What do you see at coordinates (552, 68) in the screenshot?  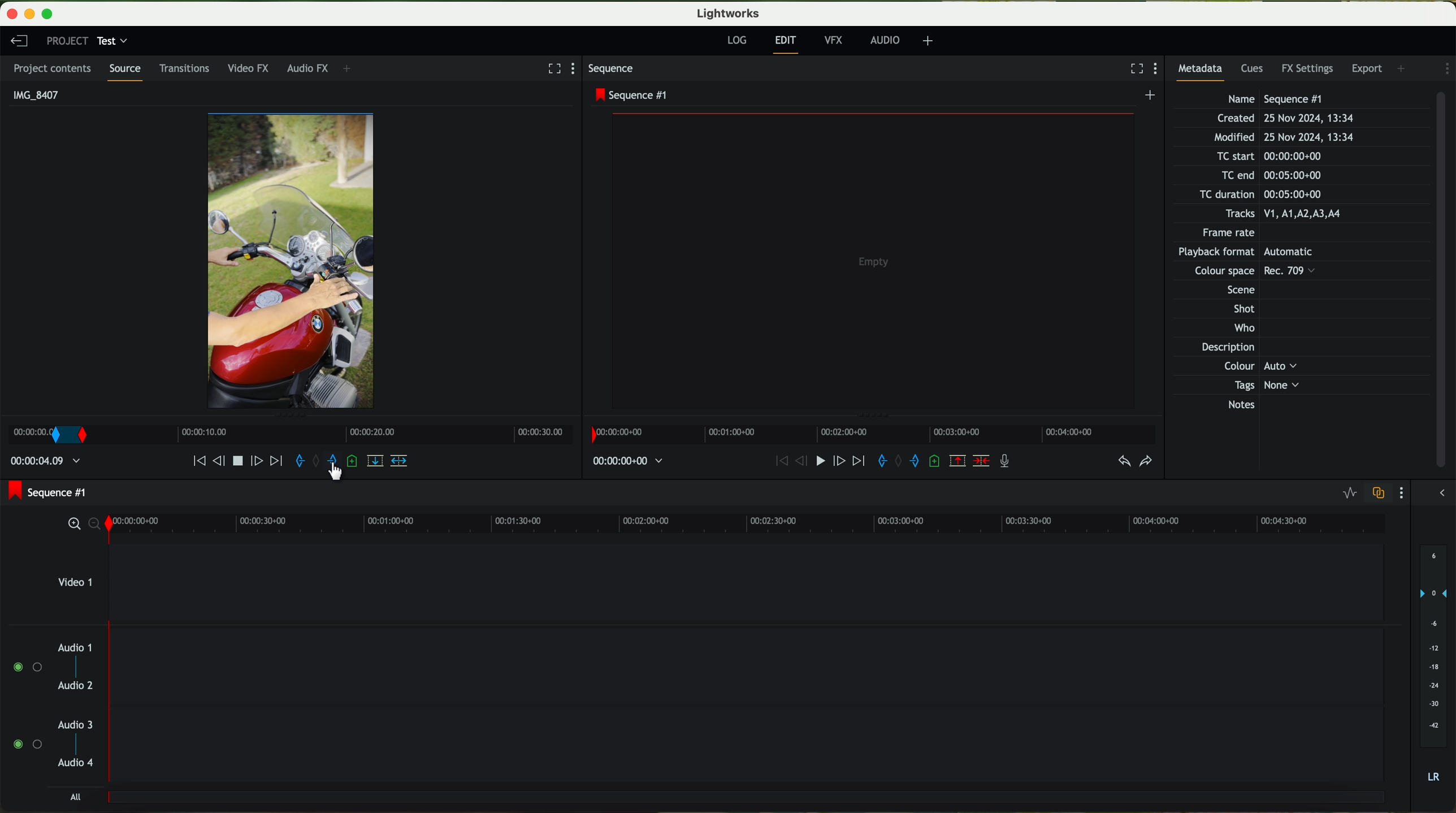 I see `fullscreen` at bounding box center [552, 68].